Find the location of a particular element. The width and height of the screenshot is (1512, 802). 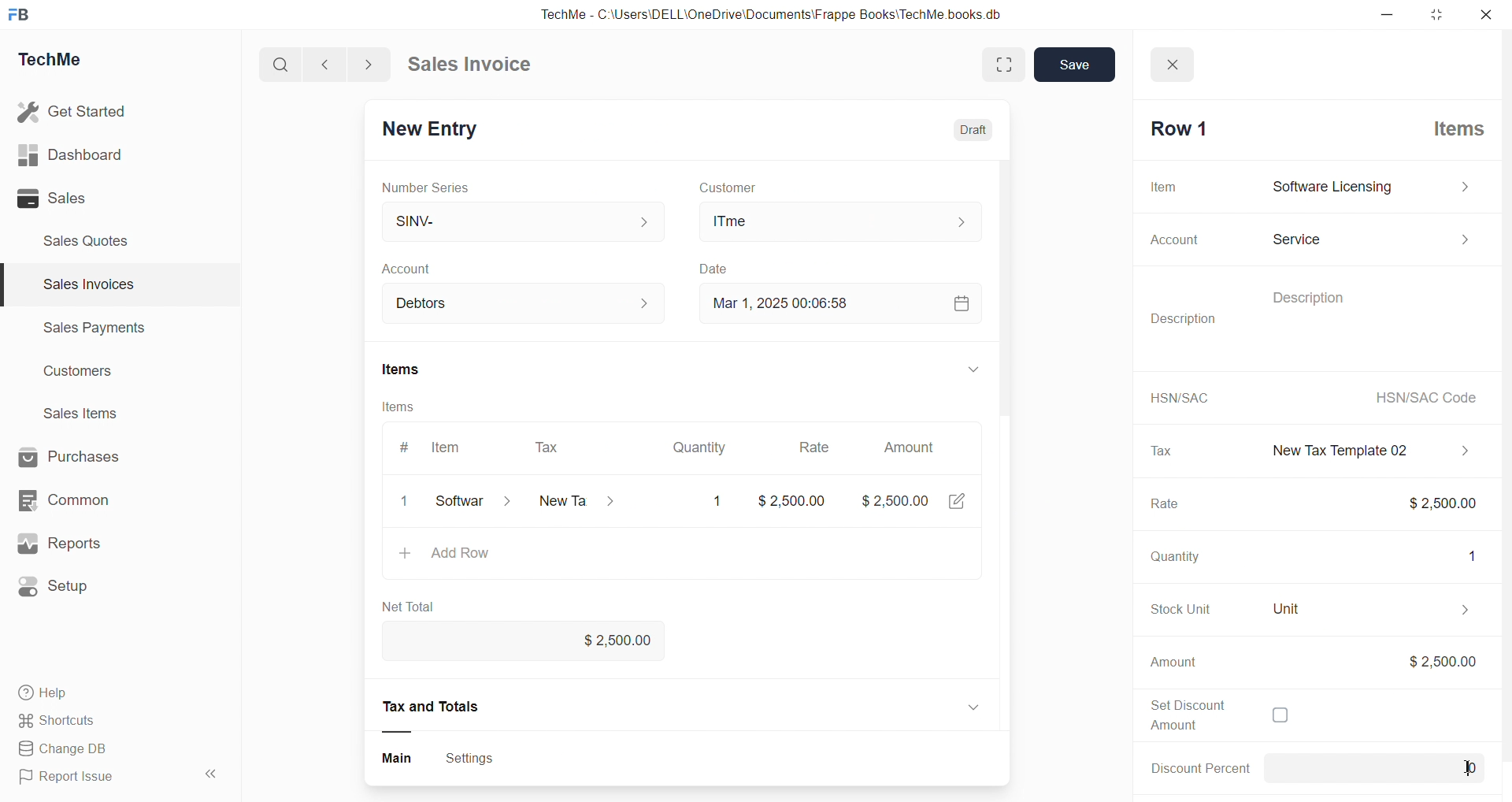

Software Licensing > is located at coordinates (1367, 188).